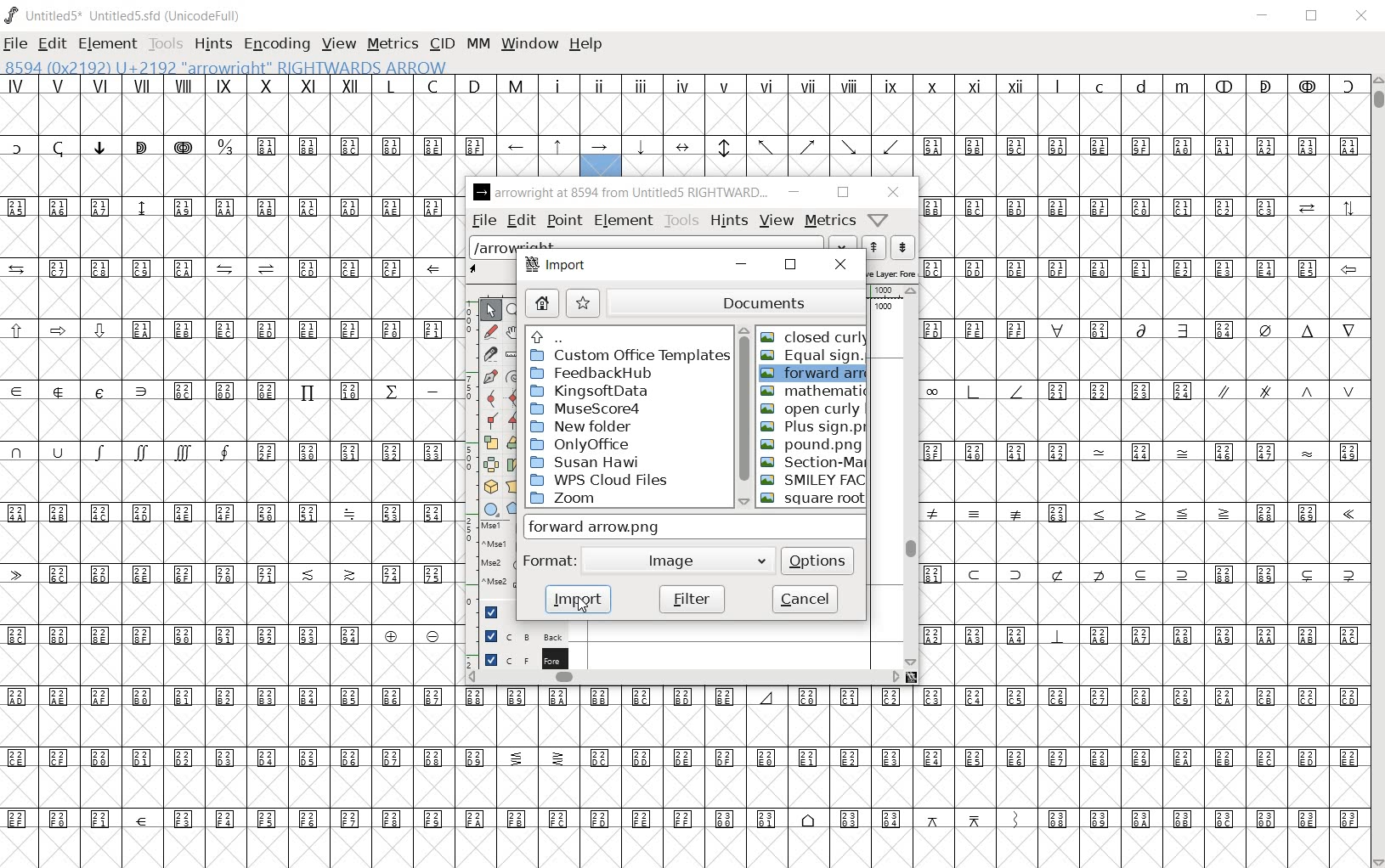  What do you see at coordinates (831, 219) in the screenshot?
I see `metrics` at bounding box center [831, 219].